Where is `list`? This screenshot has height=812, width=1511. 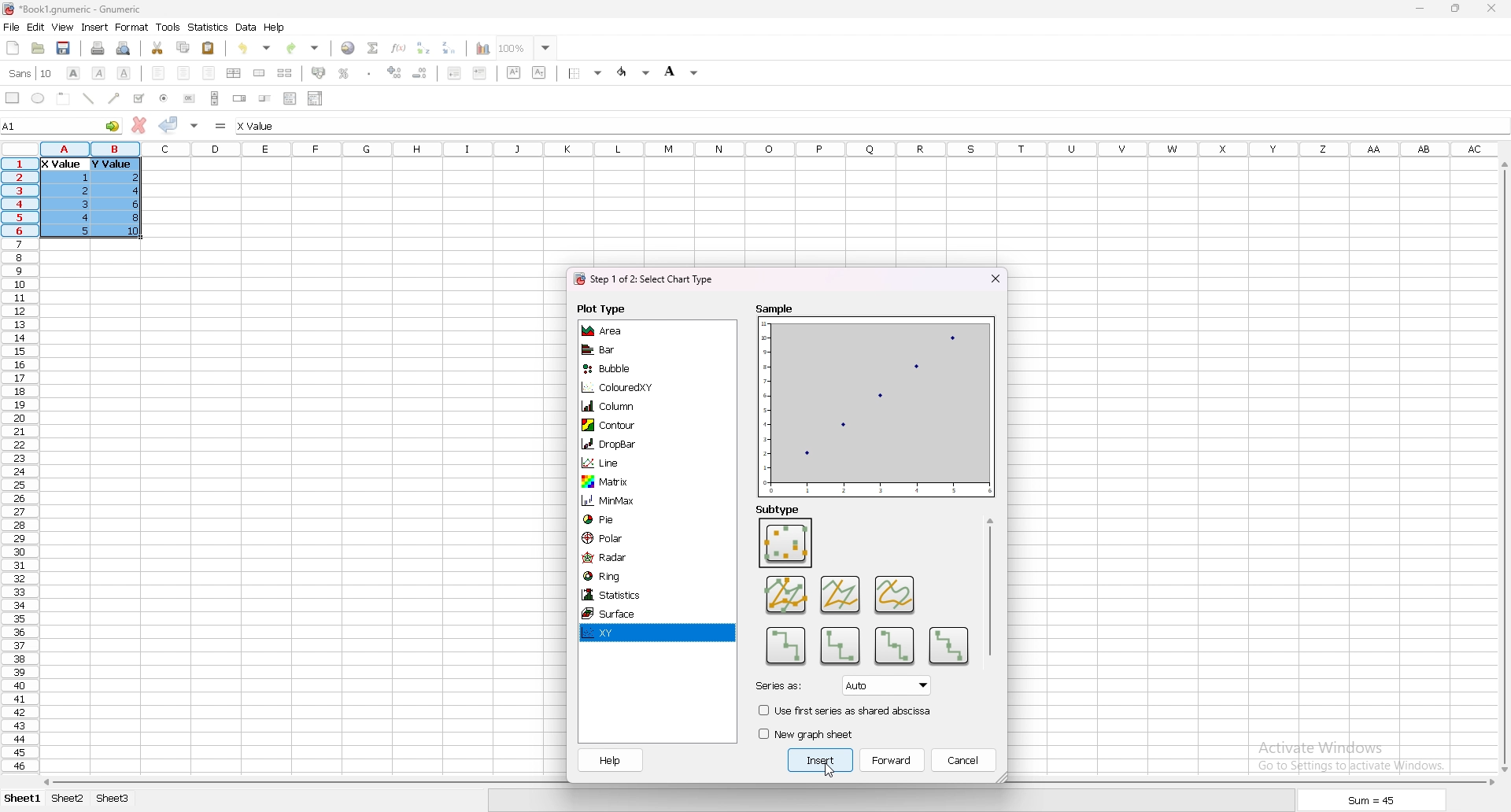 list is located at coordinates (290, 98).